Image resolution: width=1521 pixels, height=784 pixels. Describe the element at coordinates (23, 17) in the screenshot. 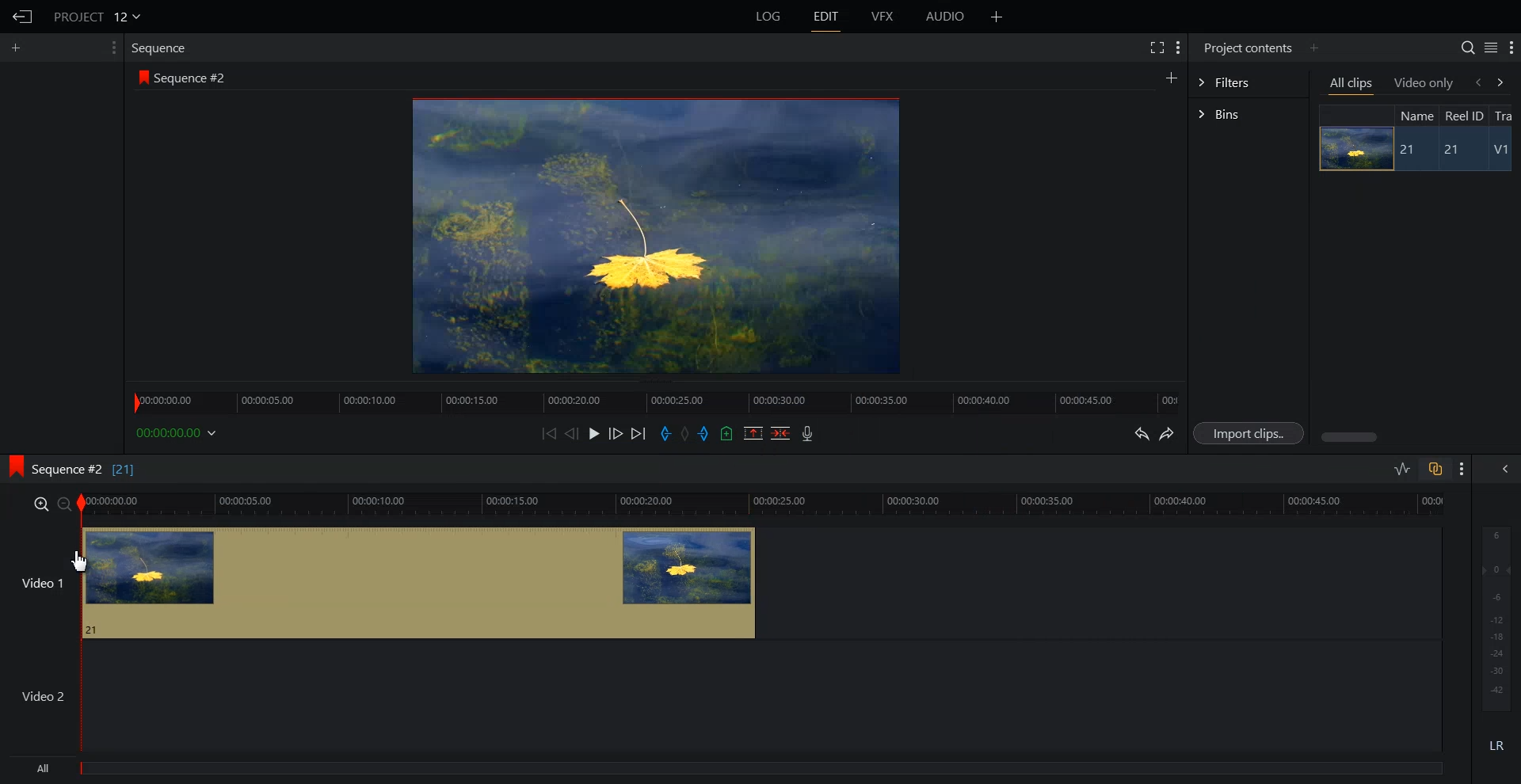

I see `Go Back` at that location.